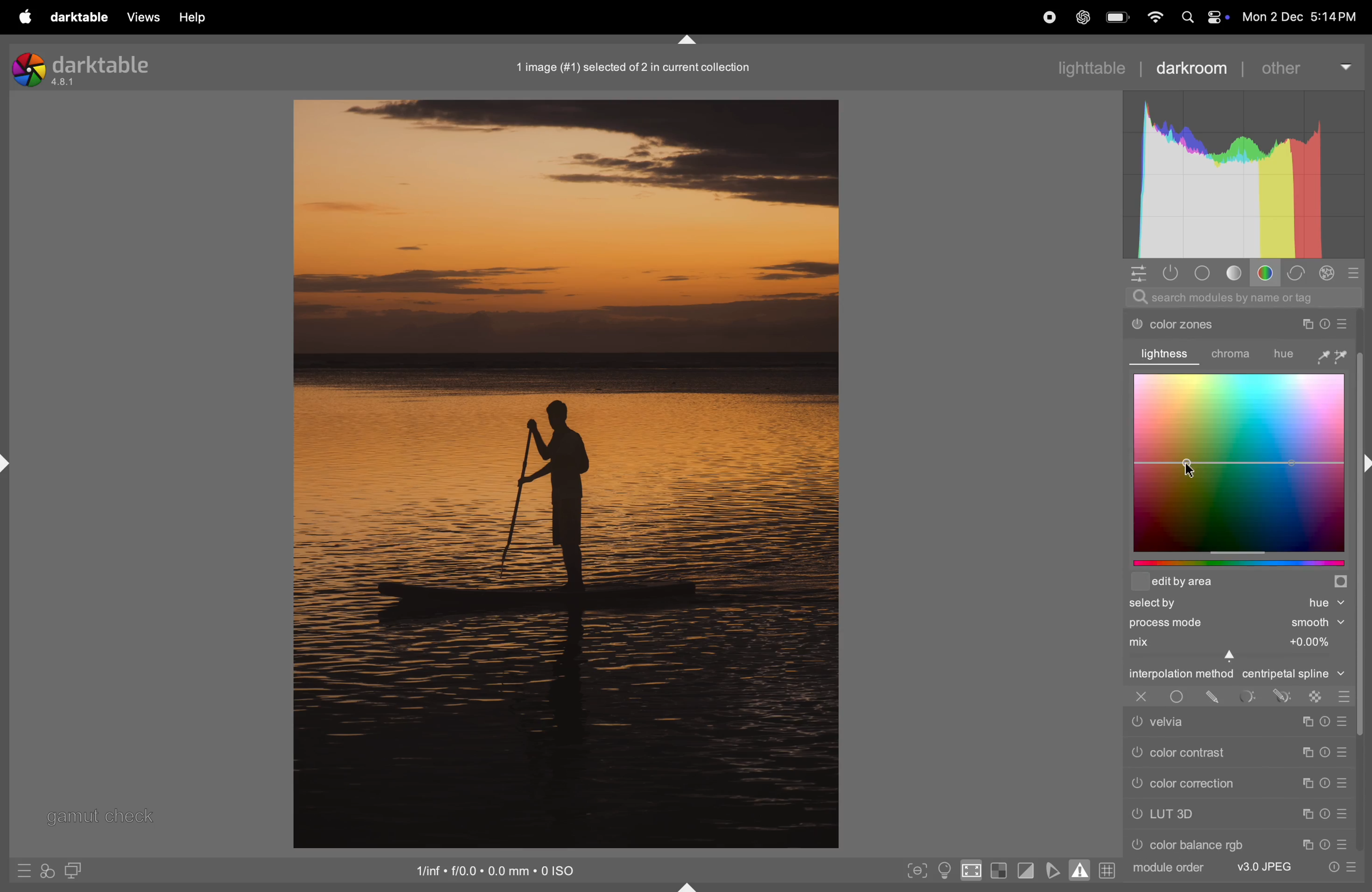 This screenshot has width=1372, height=892. What do you see at coordinates (1357, 272) in the screenshot?
I see `` at bounding box center [1357, 272].